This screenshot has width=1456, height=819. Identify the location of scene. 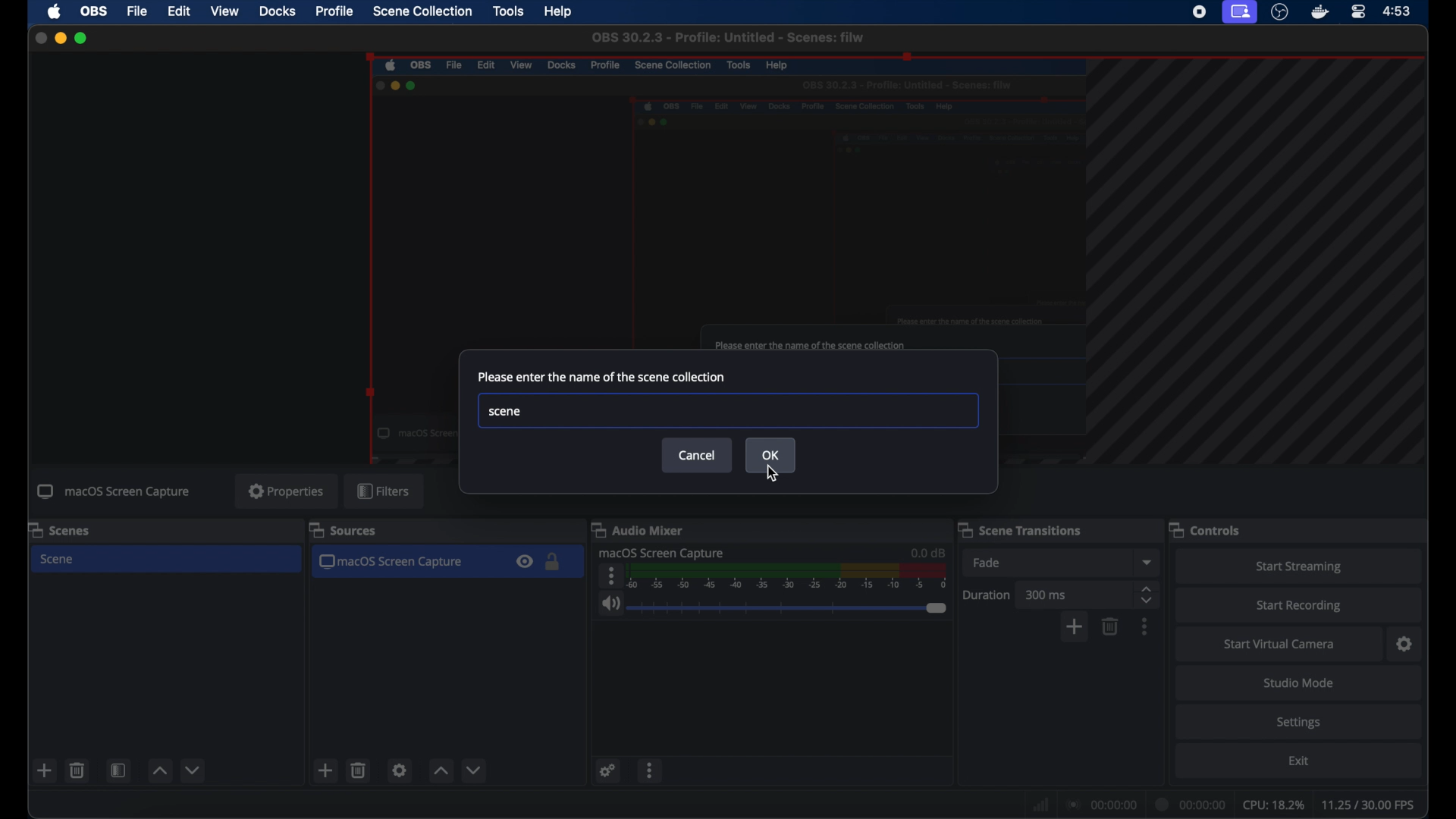
(61, 560).